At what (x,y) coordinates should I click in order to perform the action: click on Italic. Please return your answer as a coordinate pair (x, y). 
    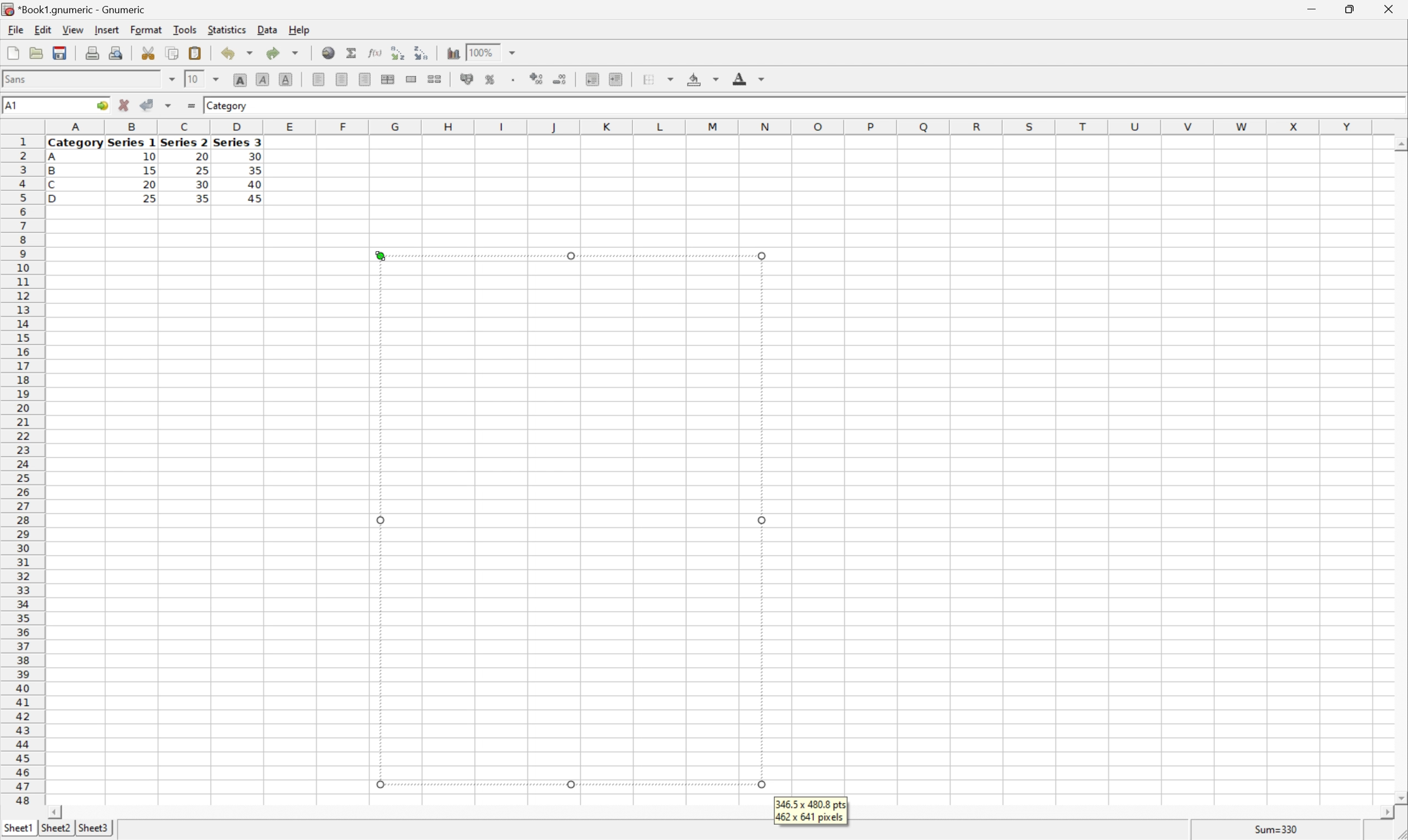
    Looking at the image, I should click on (262, 79).